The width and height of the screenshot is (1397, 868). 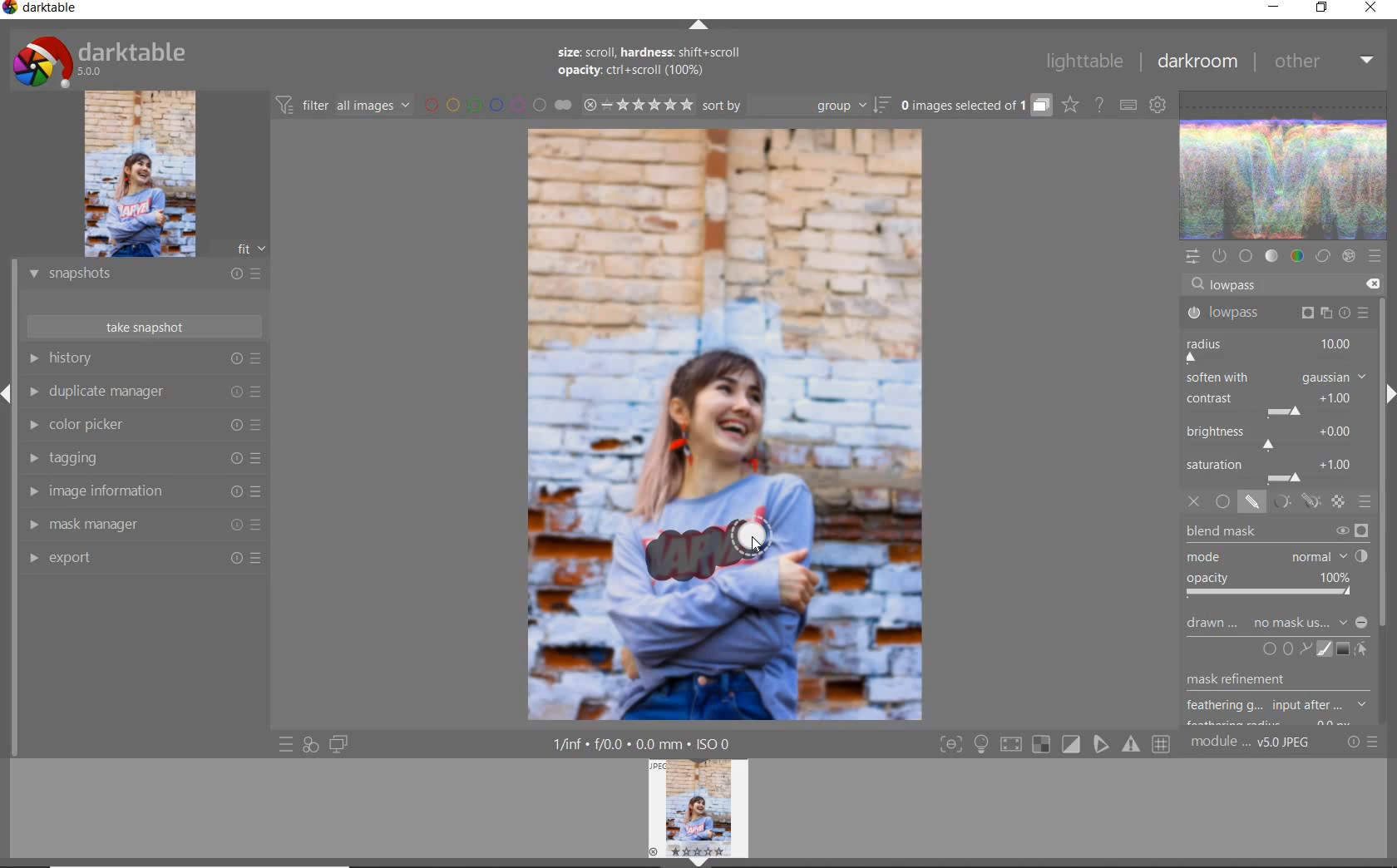 What do you see at coordinates (99, 60) in the screenshot?
I see `system logo` at bounding box center [99, 60].